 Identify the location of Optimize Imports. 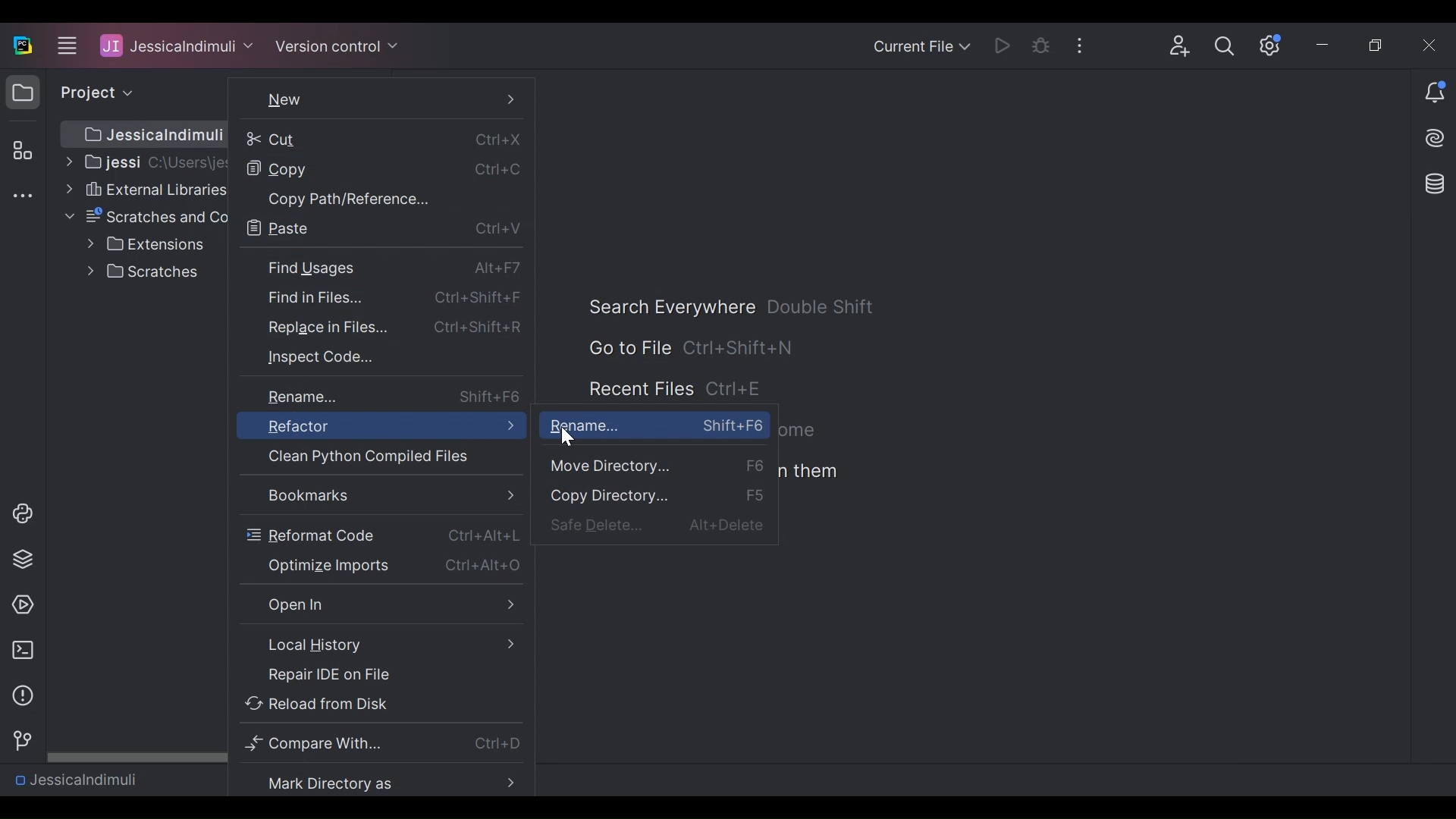
(381, 565).